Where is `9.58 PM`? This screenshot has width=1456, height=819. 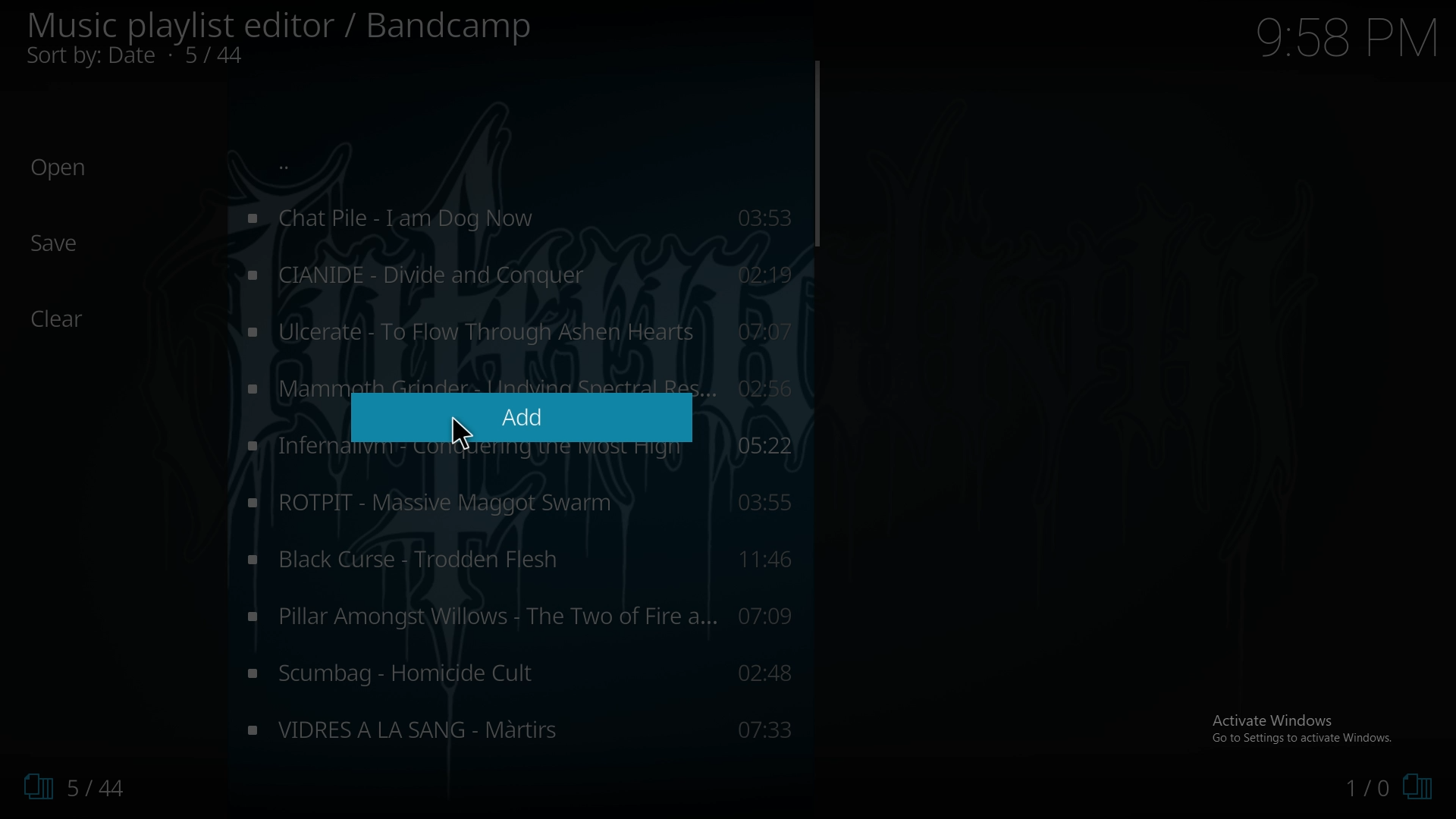 9.58 PM is located at coordinates (1346, 37).